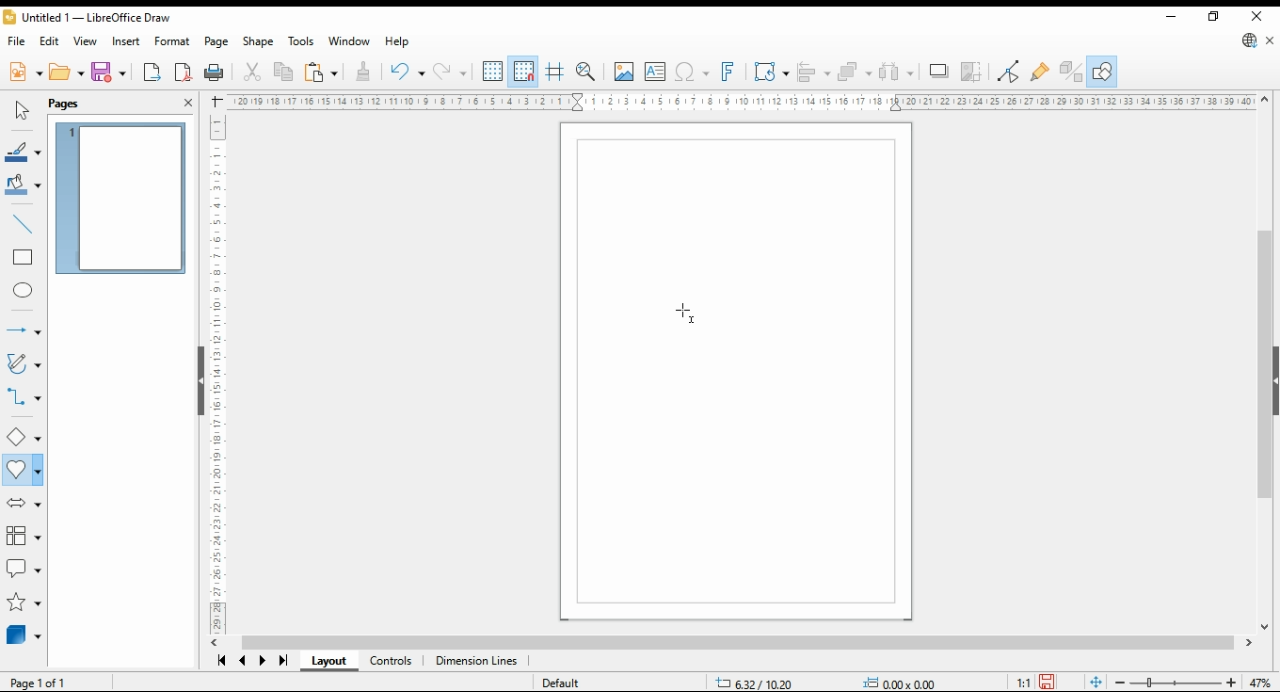 The height and width of the screenshot is (692, 1280). What do you see at coordinates (283, 73) in the screenshot?
I see `copy` at bounding box center [283, 73].